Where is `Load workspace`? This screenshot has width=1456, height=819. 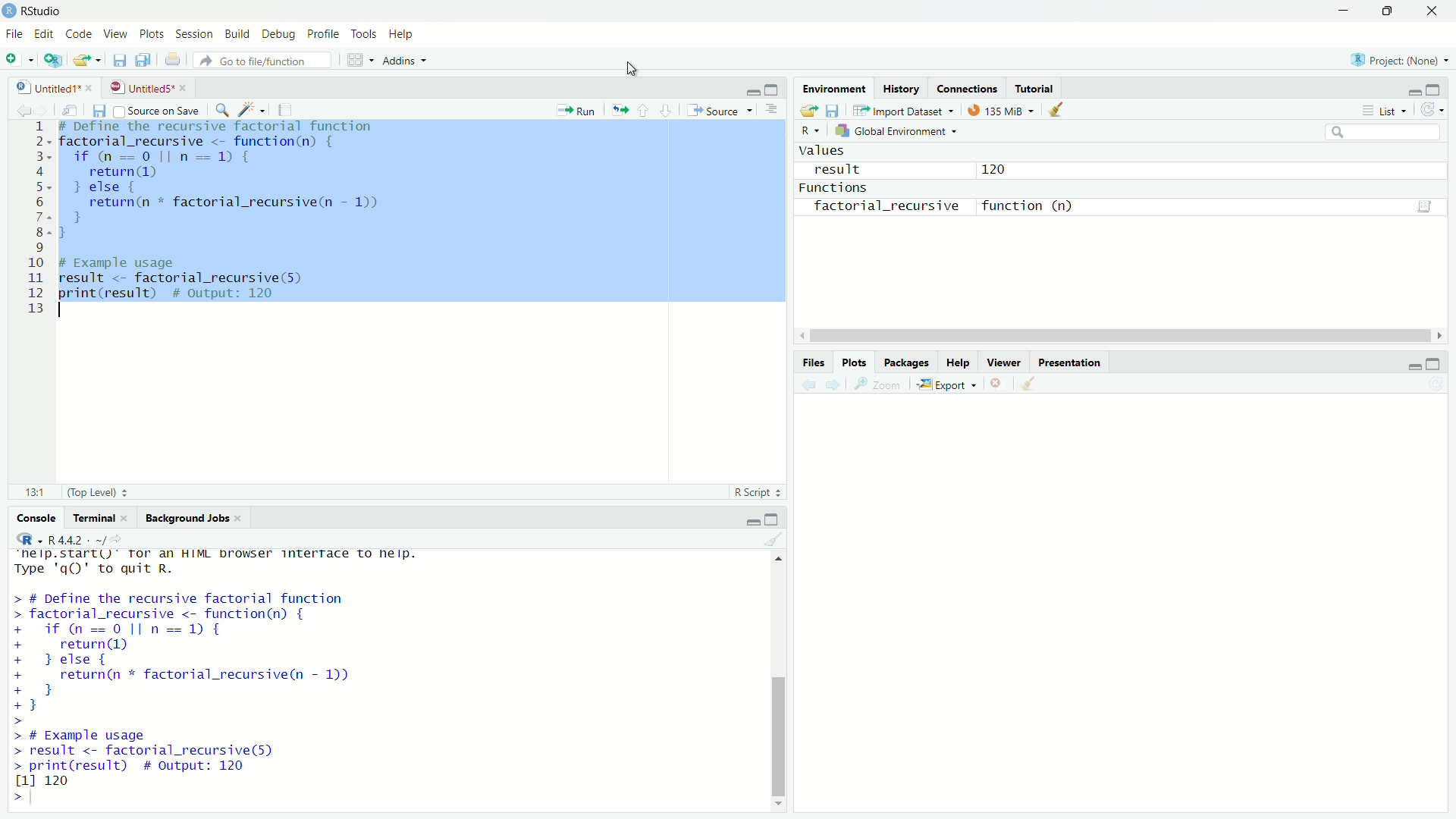 Load workspace is located at coordinates (807, 109).